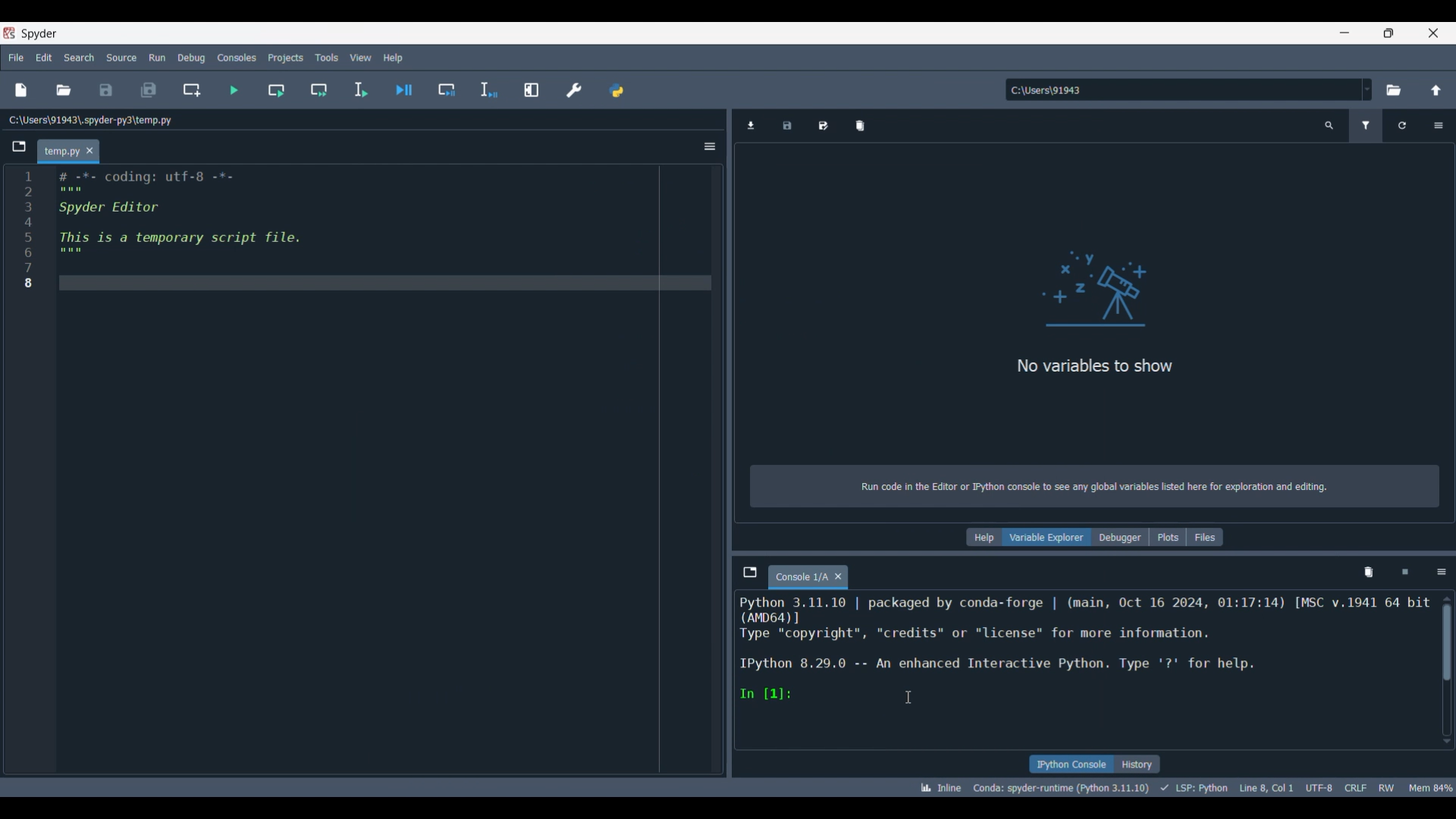 This screenshot has width=1456, height=819. What do you see at coordinates (786, 126) in the screenshot?
I see `Save data` at bounding box center [786, 126].